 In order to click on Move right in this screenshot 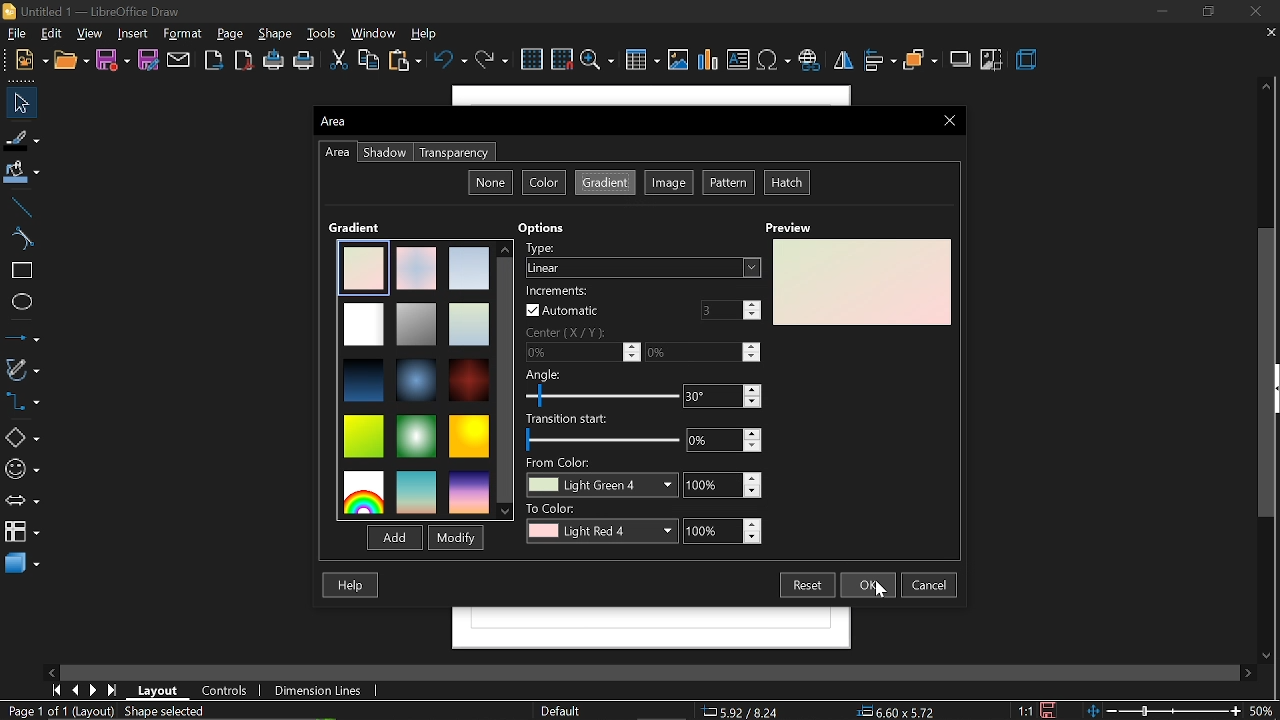, I will do `click(1249, 673)`.